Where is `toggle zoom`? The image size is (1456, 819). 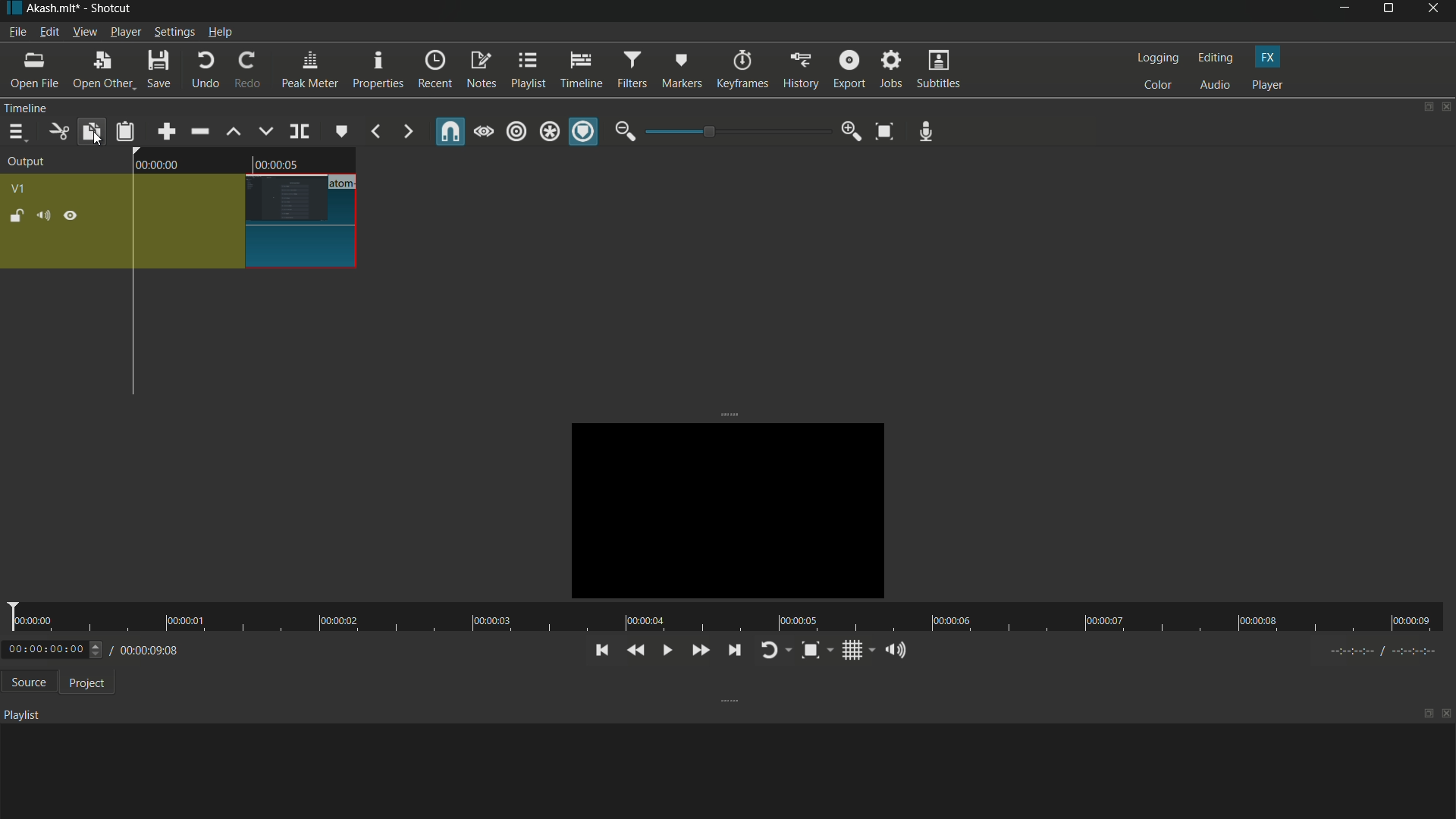
toggle zoom is located at coordinates (816, 650).